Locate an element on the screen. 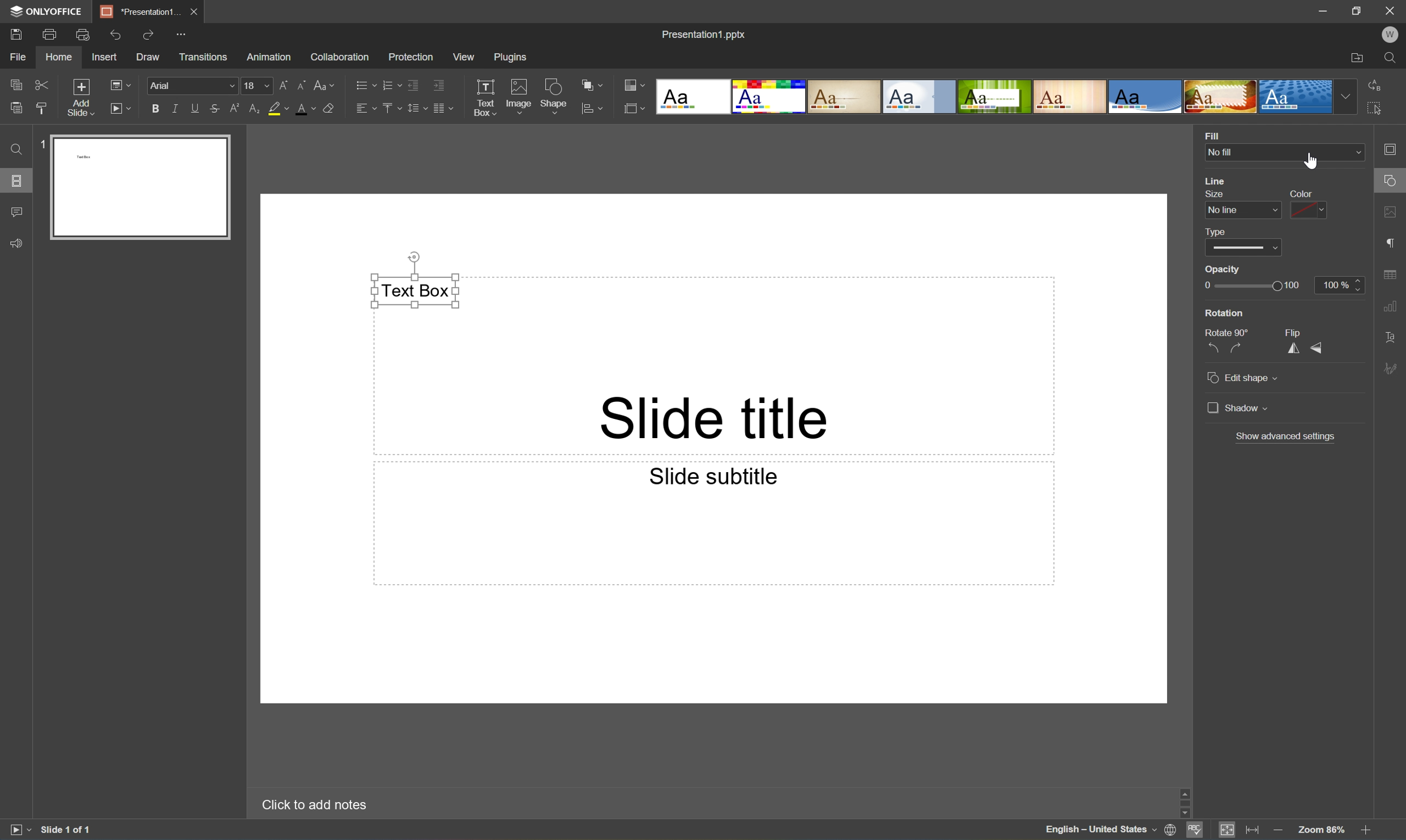 The width and height of the screenshot is (1406, 840). Line is located at coordinates (1219, 181).